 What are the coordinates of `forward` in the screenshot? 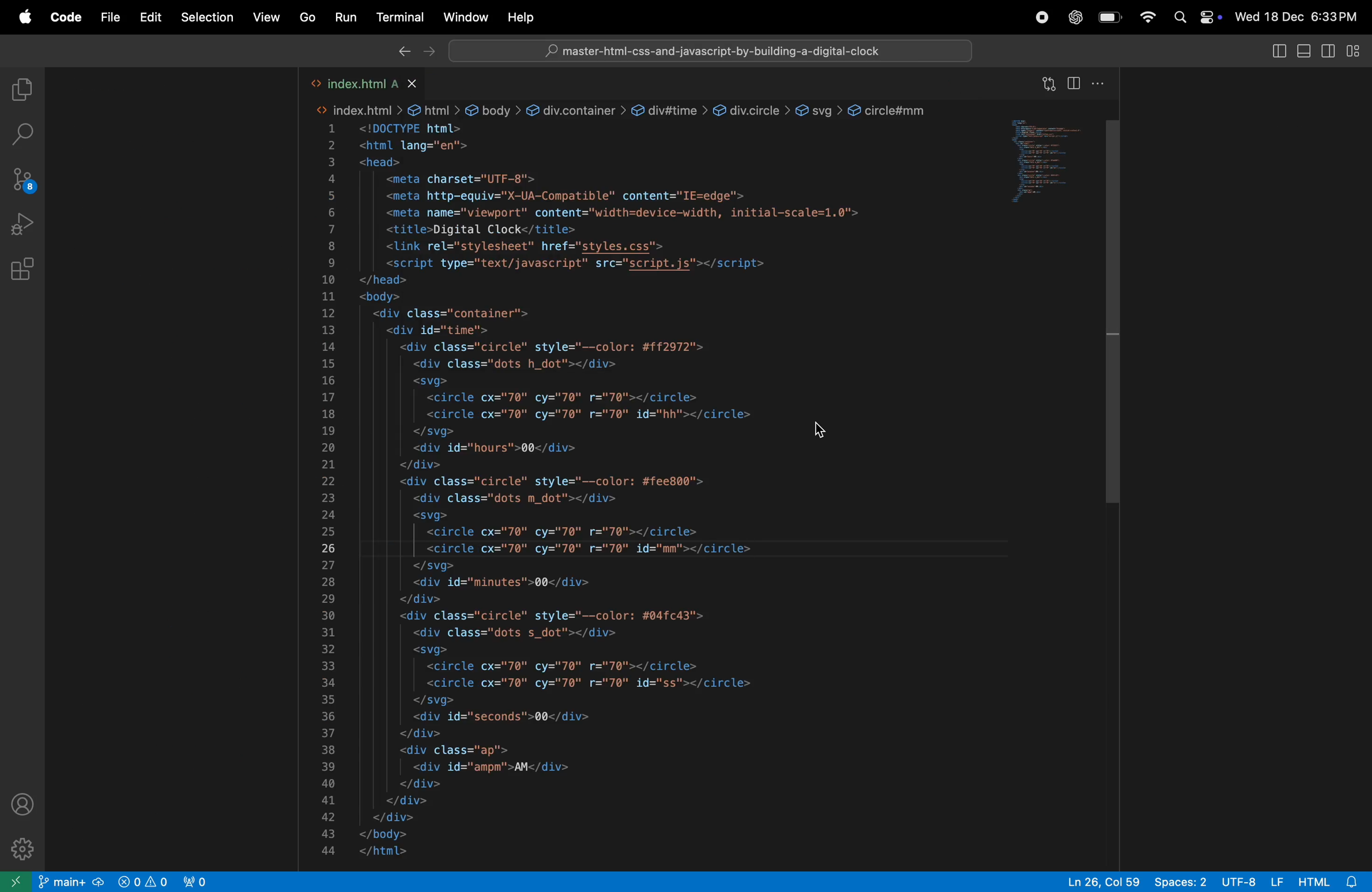 It's located at (425, 53).